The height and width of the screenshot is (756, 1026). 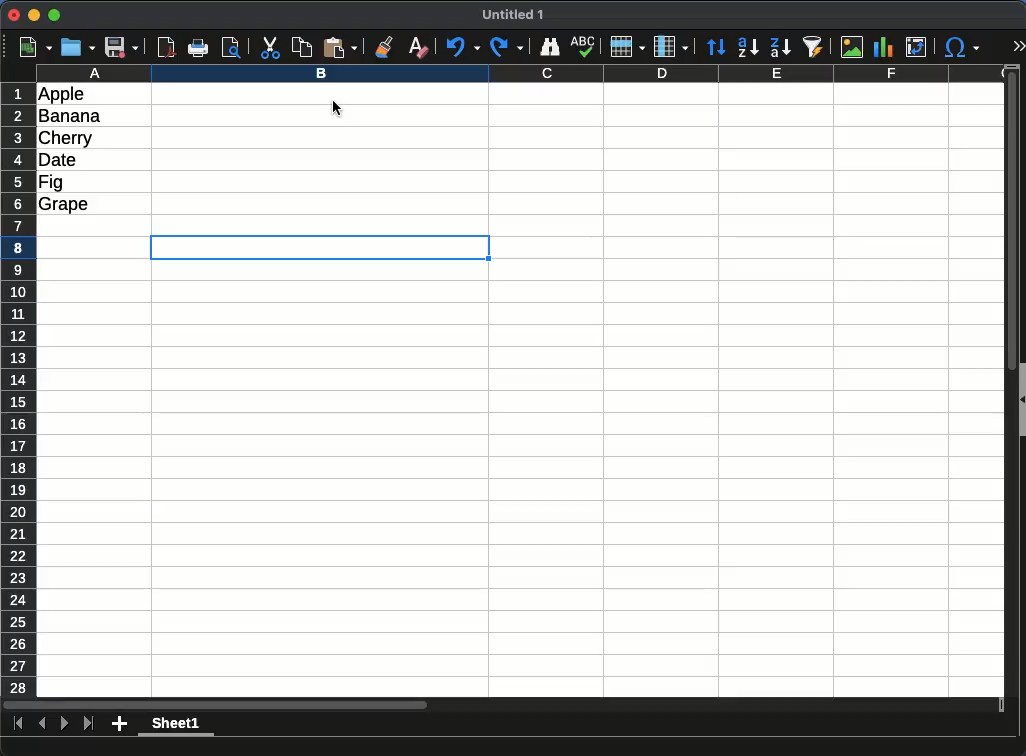 I want to click on add, so click(x=119, y=724).